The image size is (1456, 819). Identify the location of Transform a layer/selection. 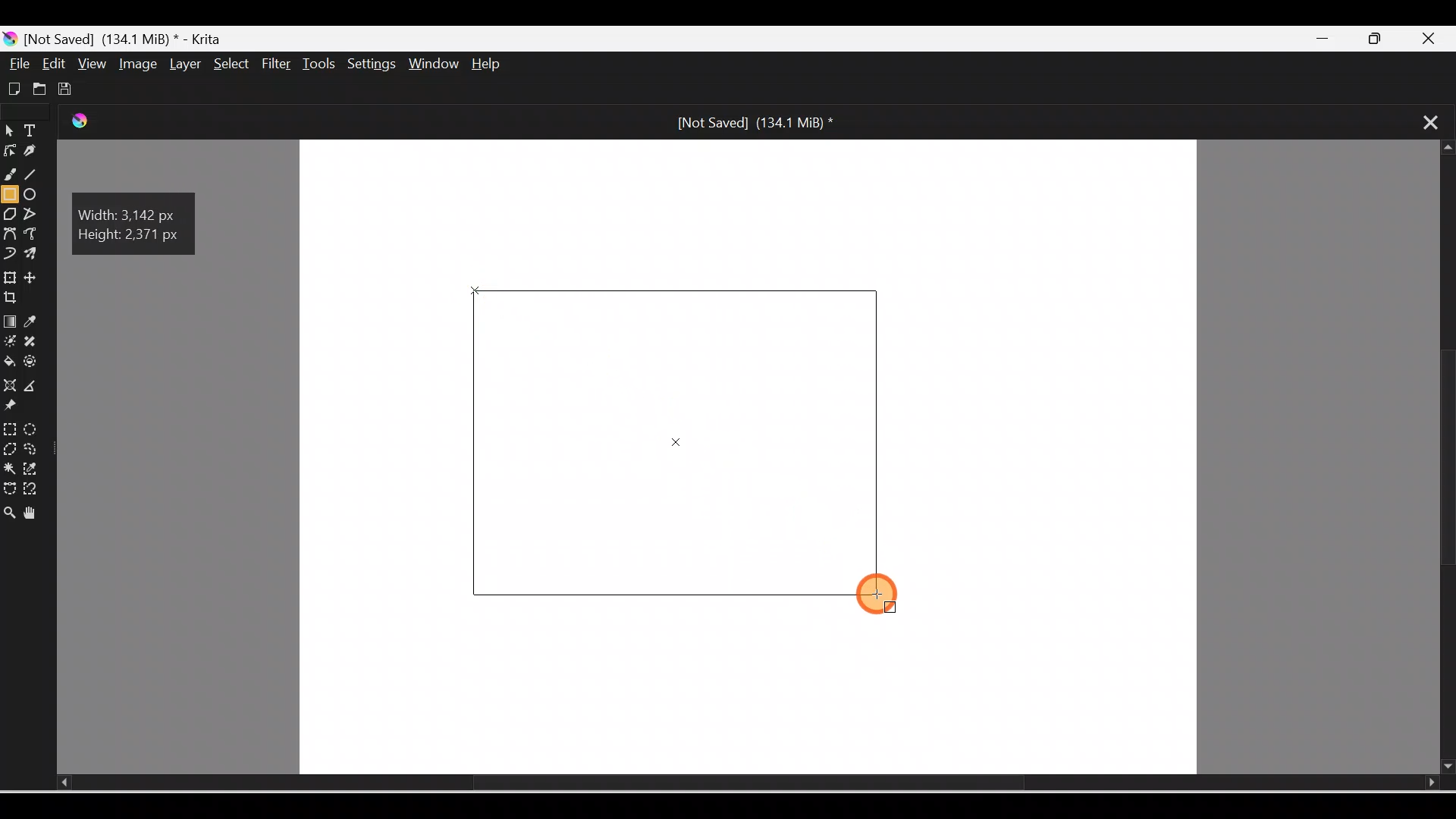
(10, 275).